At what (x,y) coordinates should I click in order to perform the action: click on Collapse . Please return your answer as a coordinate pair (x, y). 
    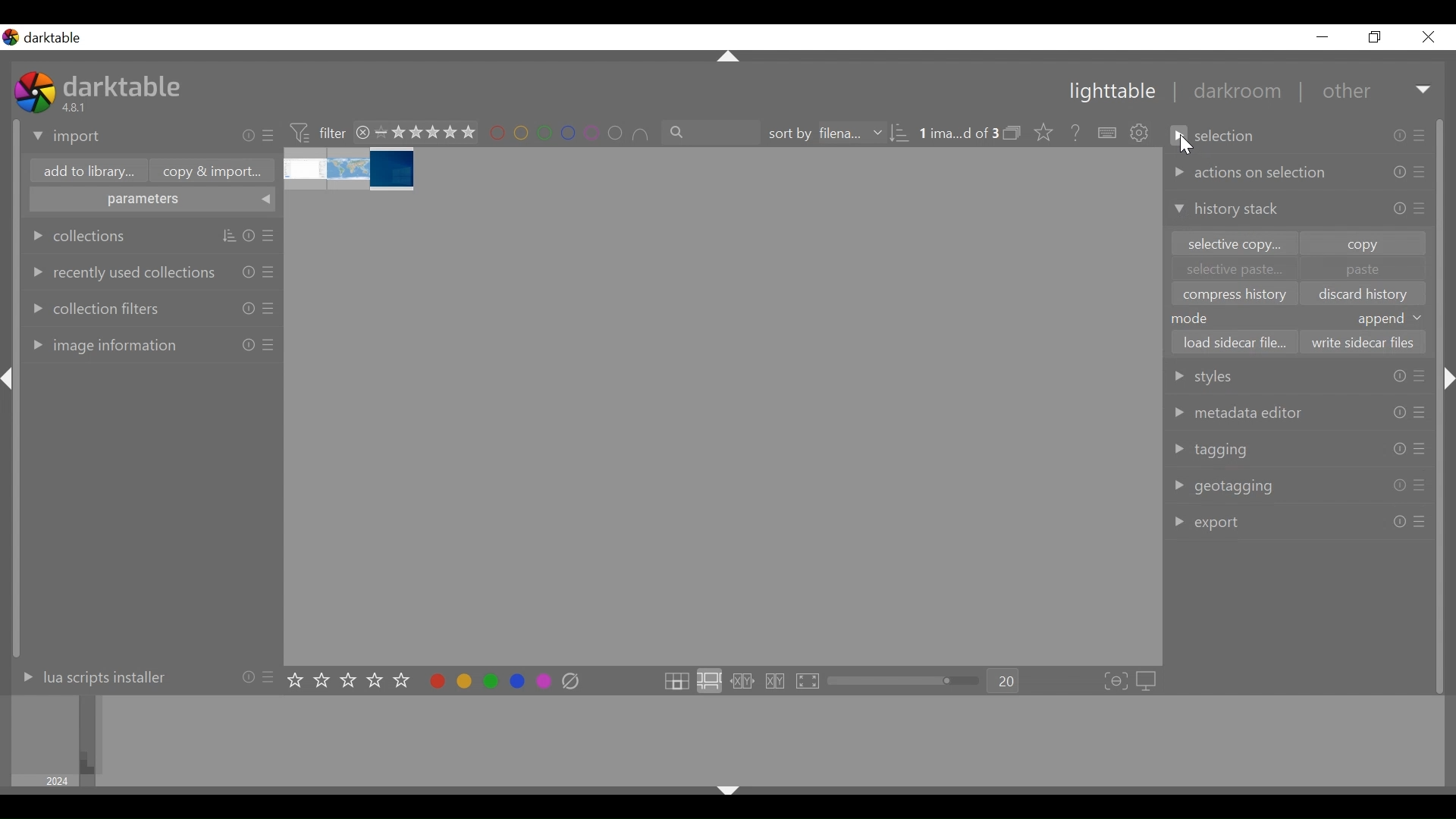
    Looking at the image, I should click on (11, 379).